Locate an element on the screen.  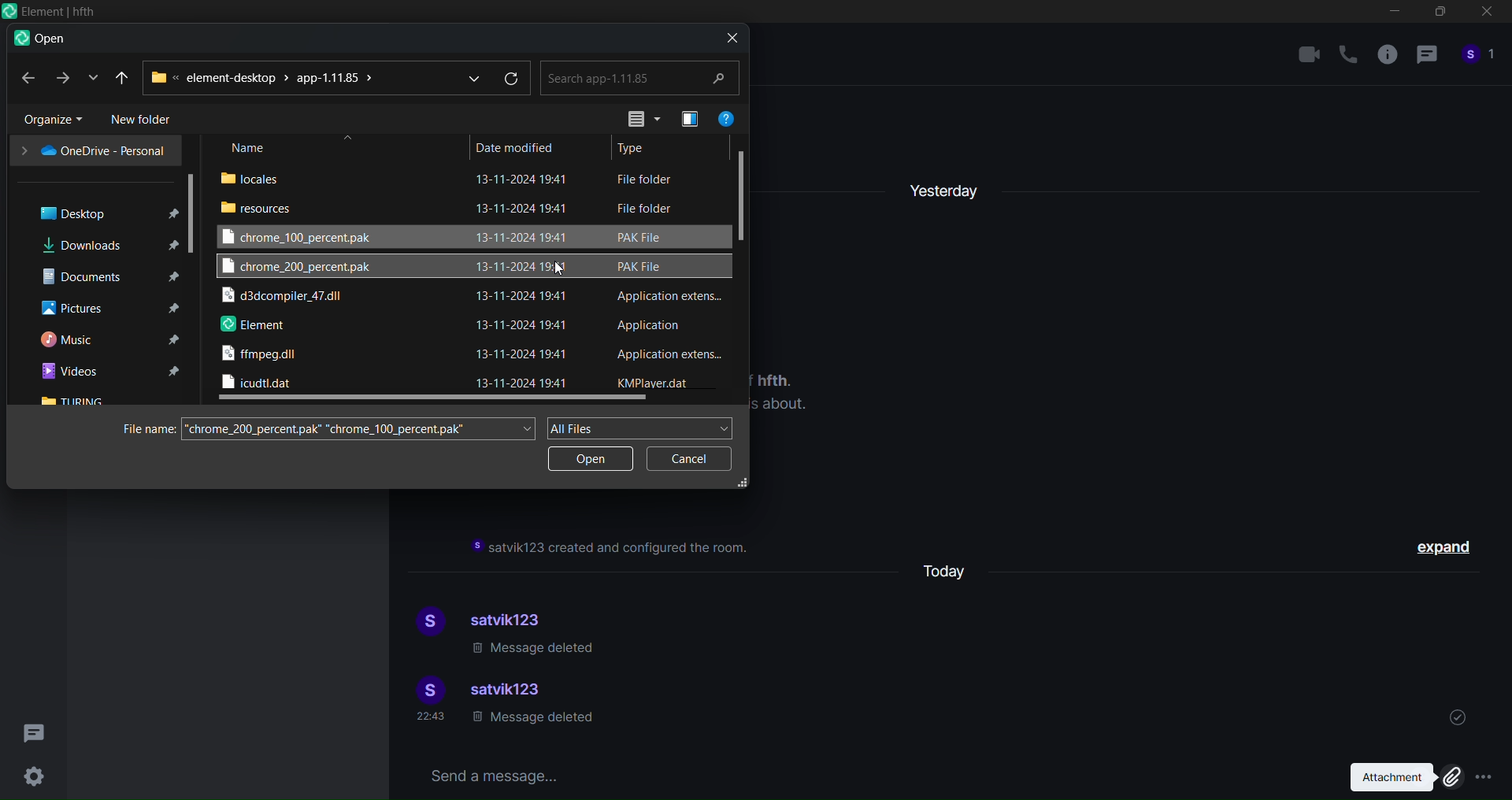
Cursor is located at coordinates (559, 267).